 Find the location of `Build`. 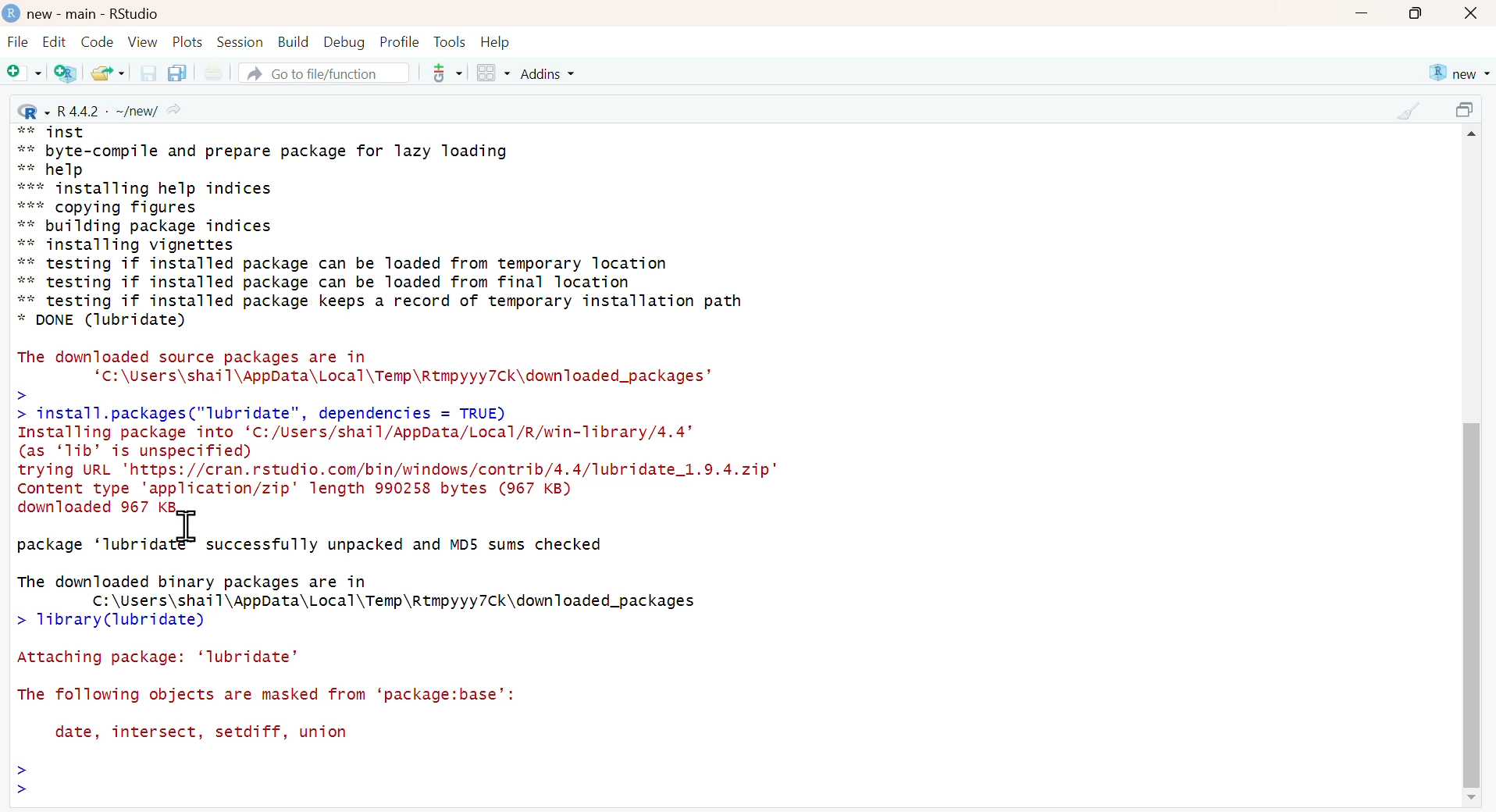

Build is located at coordinates (293, 42).